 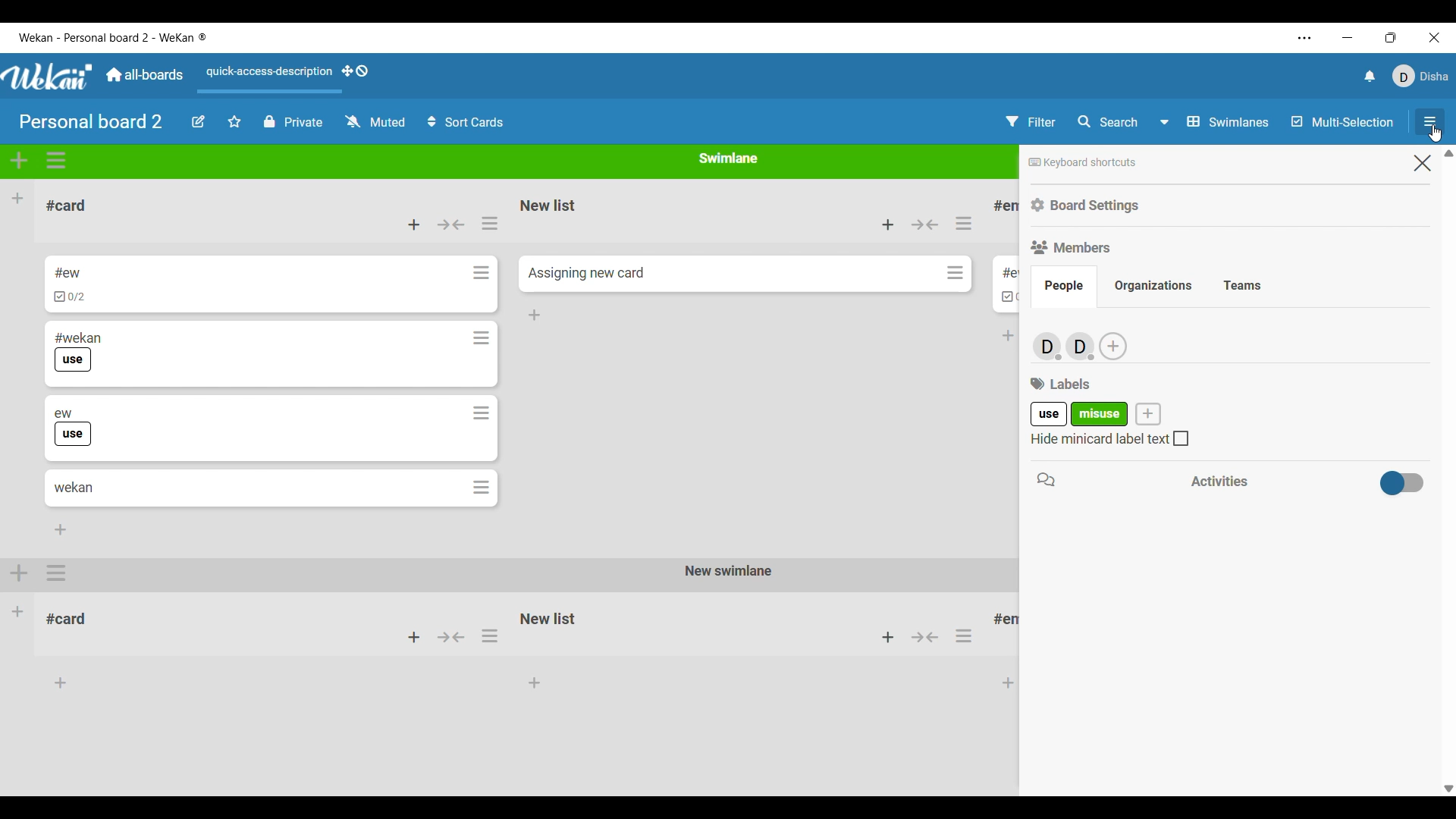 What do you see at coordinates (74, 488) in the screenshot?
I see `Card title` at bounding box center [74, 488].